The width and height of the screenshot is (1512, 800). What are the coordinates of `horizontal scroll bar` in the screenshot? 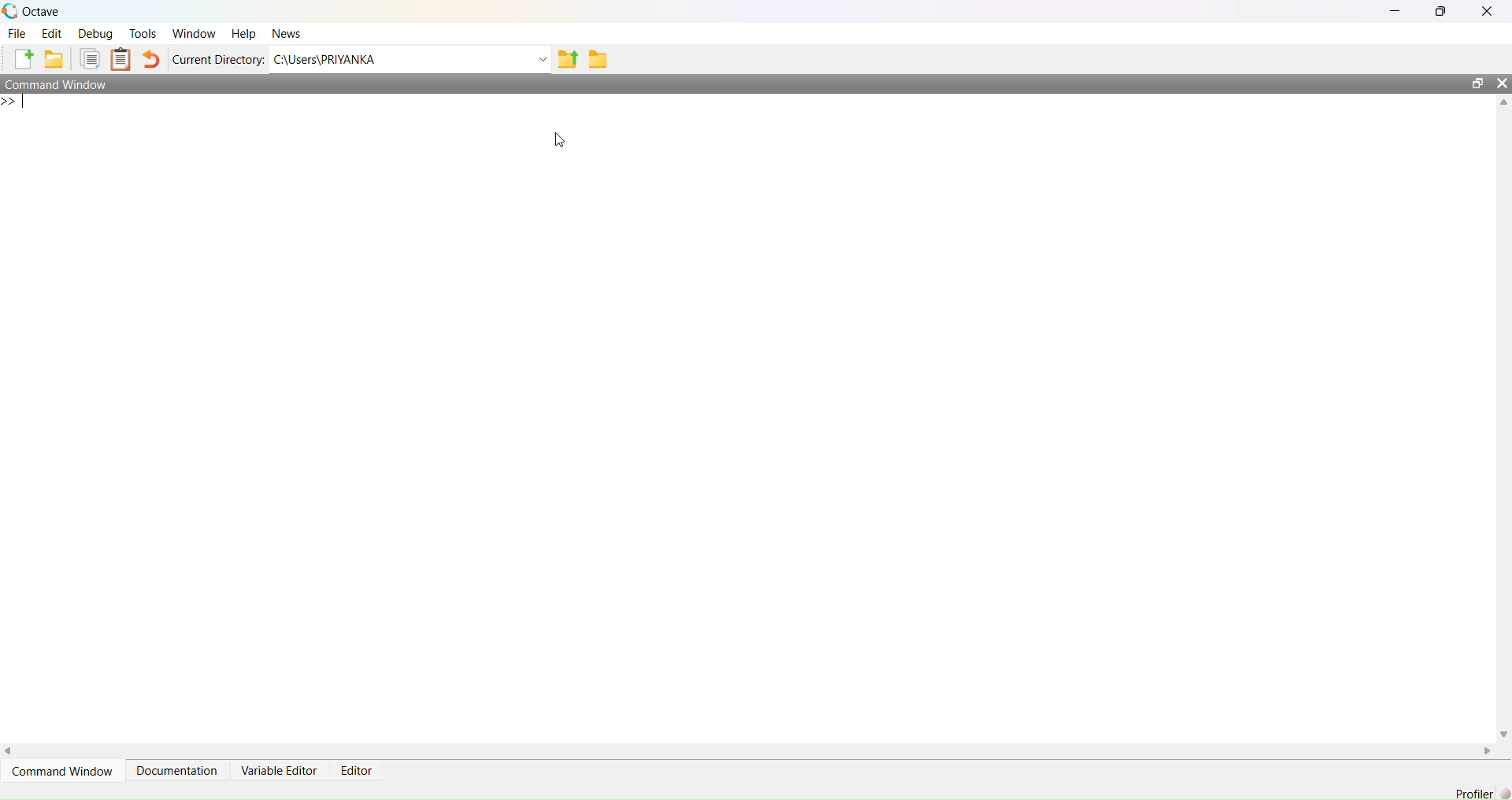 It's located at (749, 750).